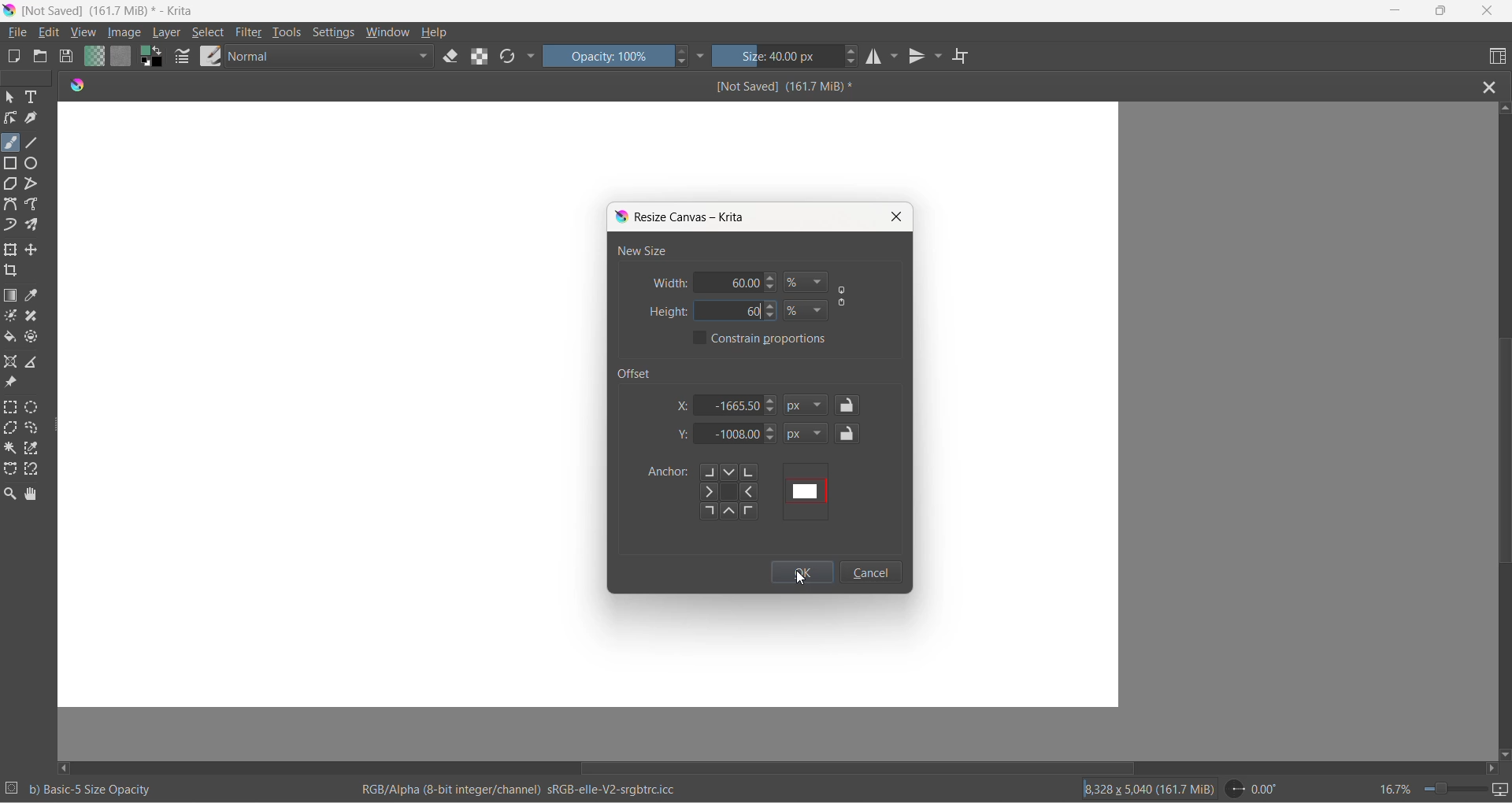  Describe the element at coordinates (67, 767) in the screenshot. I see `scroll left button` at that location.